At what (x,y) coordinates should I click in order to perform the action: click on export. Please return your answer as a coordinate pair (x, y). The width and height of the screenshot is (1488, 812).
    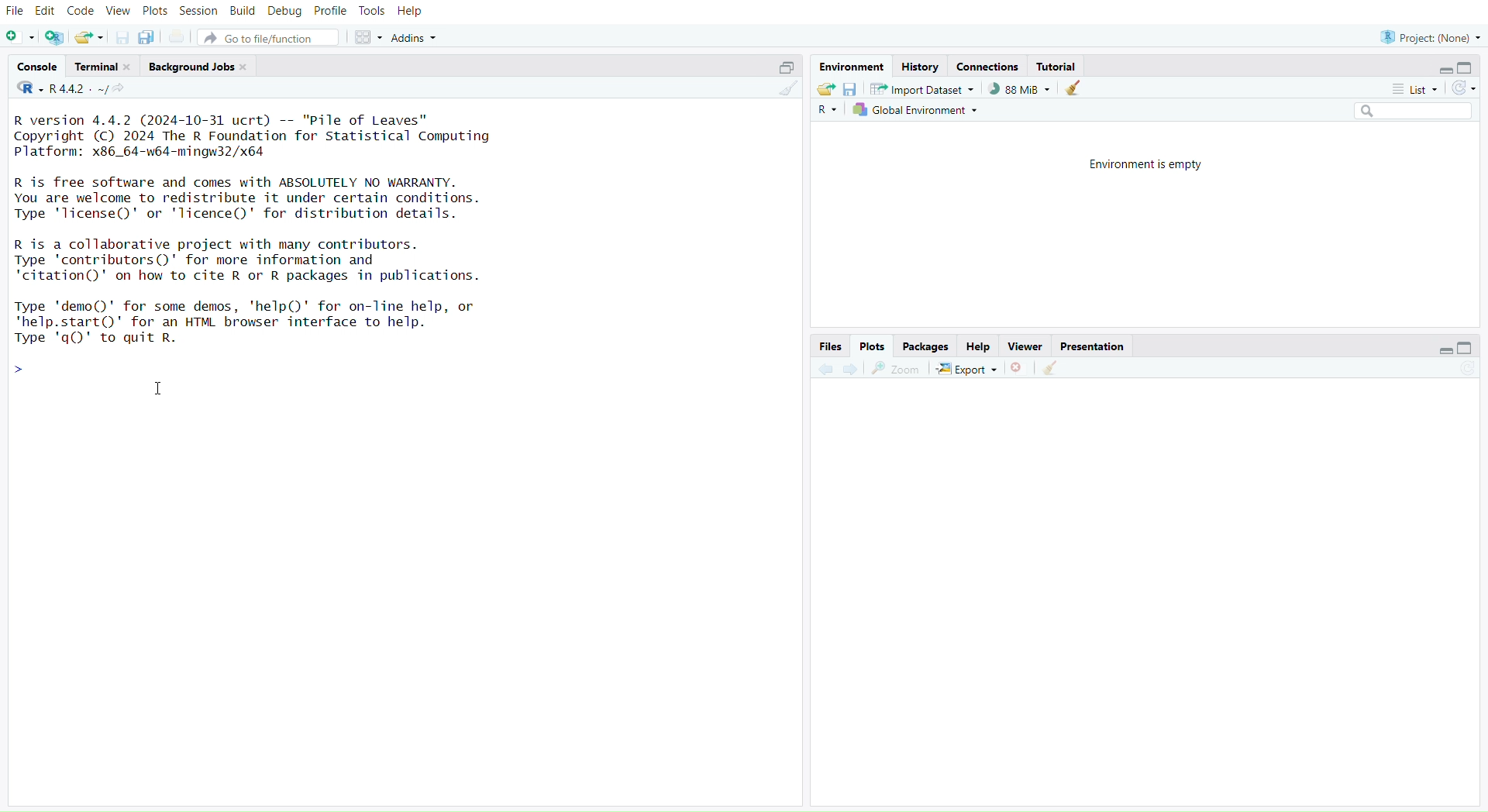
    Looking at the image, I should click on (968, 370).